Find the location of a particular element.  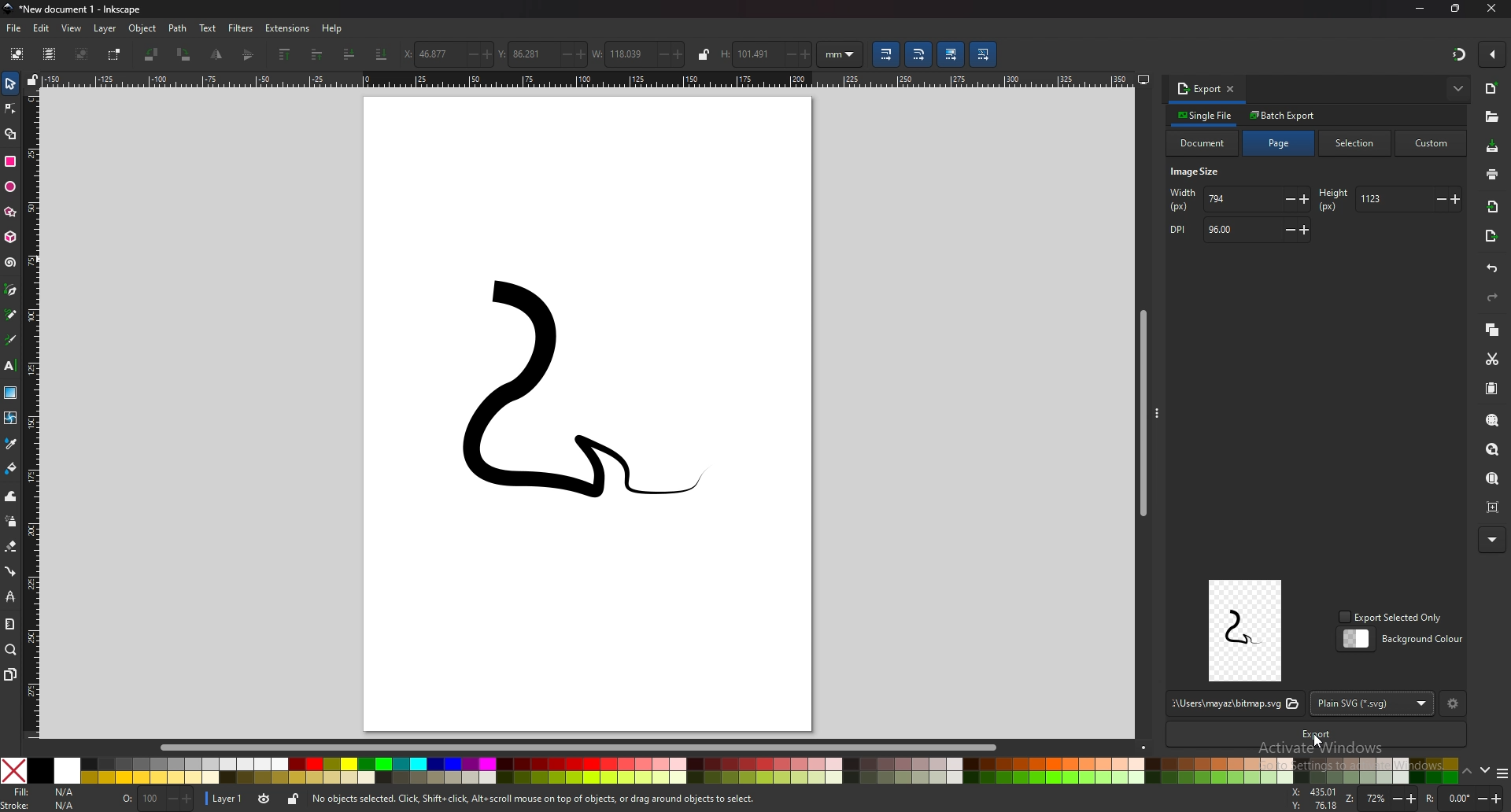

export selected only is located at coordinates (1393, 618).